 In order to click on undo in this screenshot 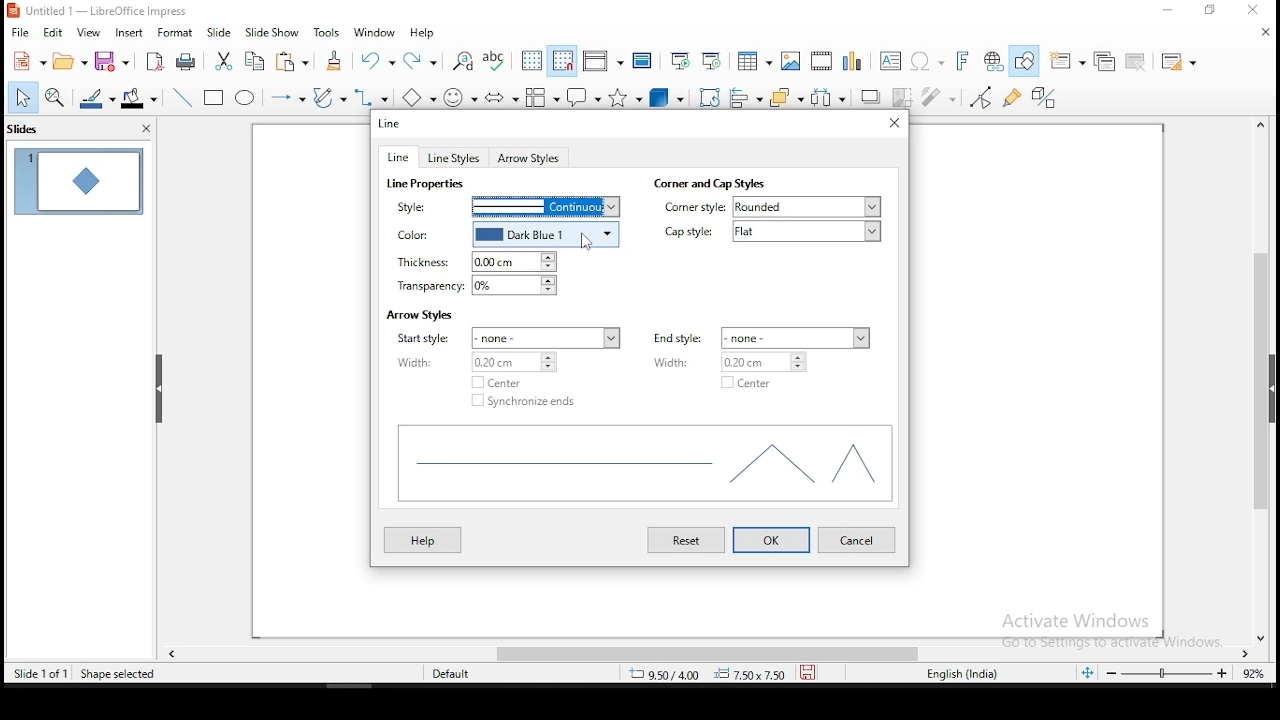, I will do `click(378, 60)`.